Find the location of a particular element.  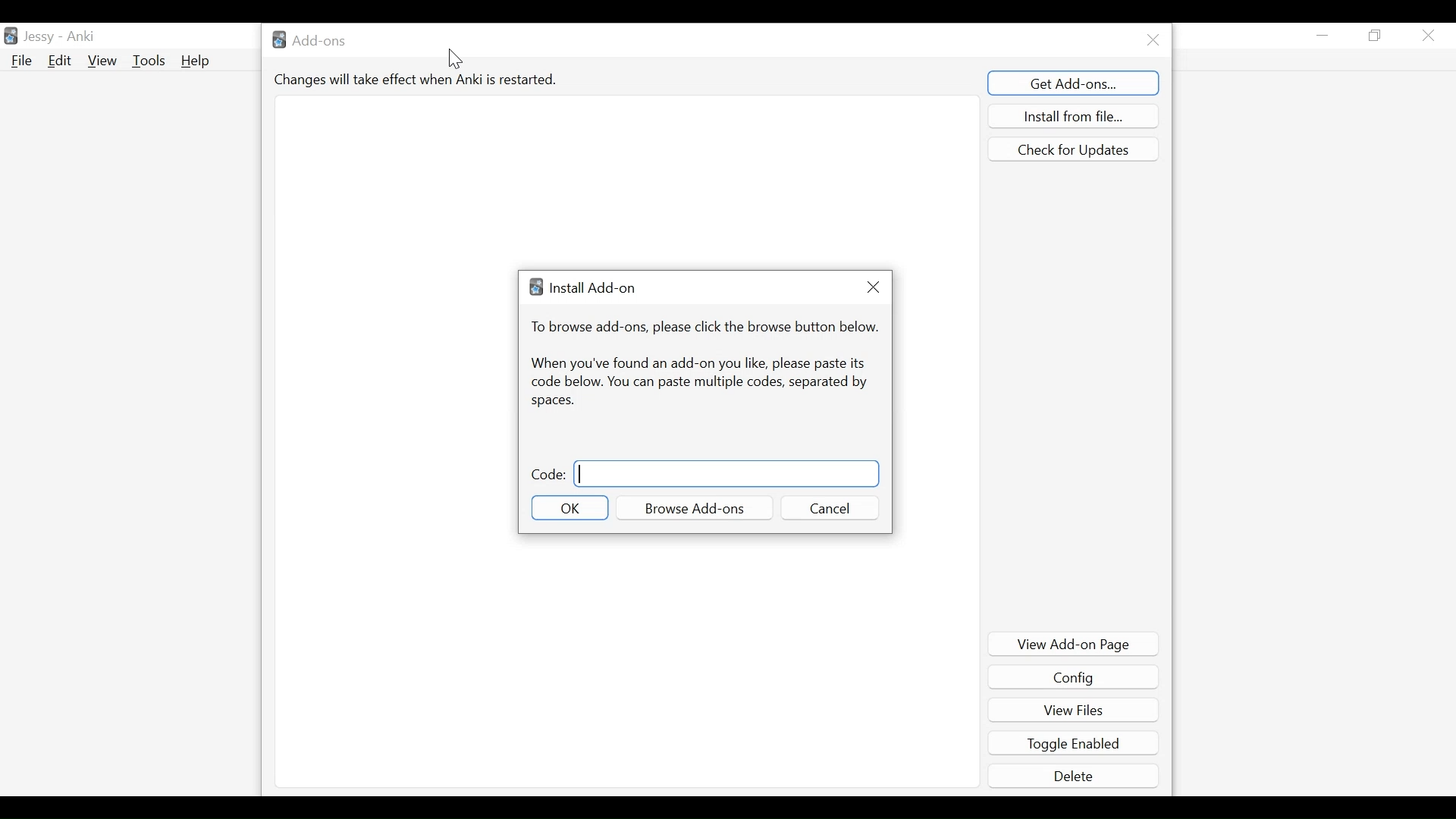

Anki Desktop icon is located at coordinates (11, 36).